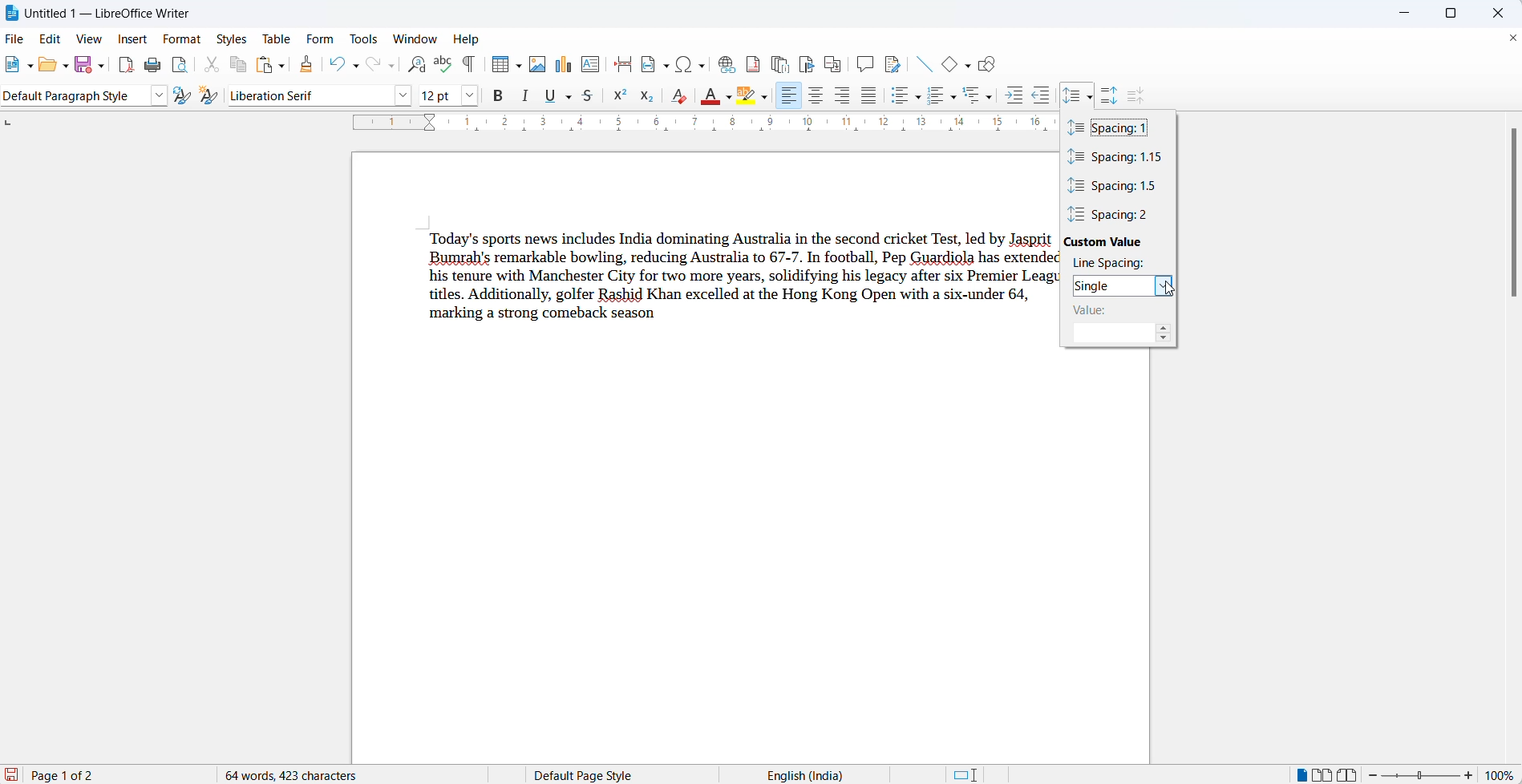 This screenshot has width=1522, height=784. I want to click on file title, so click(113, 10).